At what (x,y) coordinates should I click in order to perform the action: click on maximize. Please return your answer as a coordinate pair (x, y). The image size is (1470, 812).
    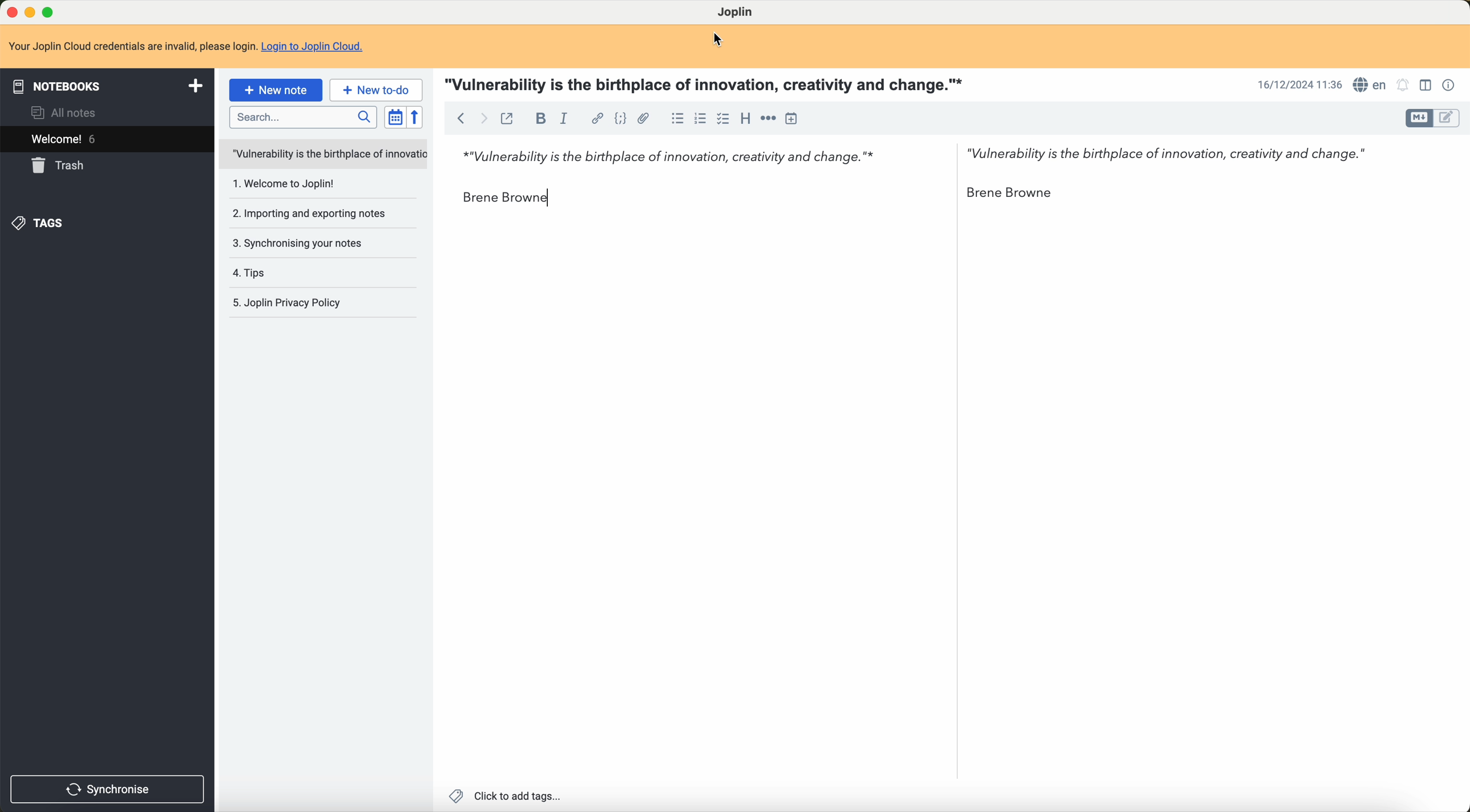
    Looking at the image, I should click on (50, 10).